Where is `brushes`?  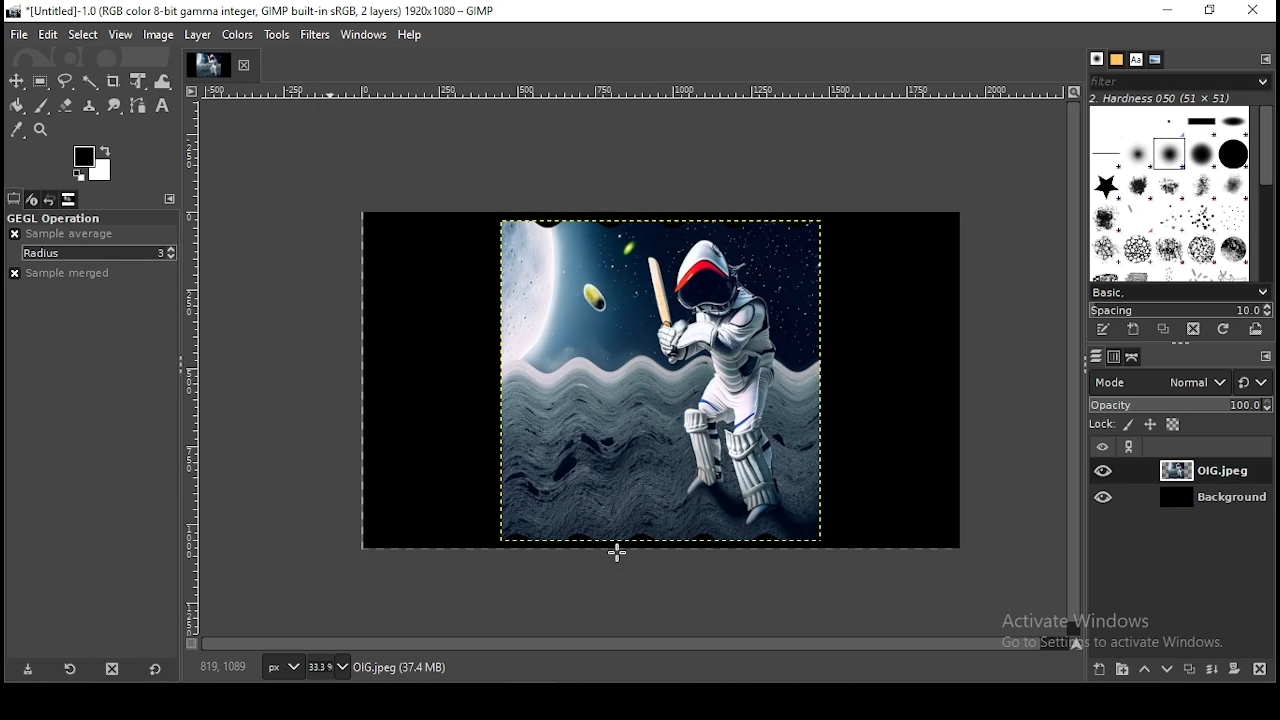 brushes is located at coordinates (1173, 194).